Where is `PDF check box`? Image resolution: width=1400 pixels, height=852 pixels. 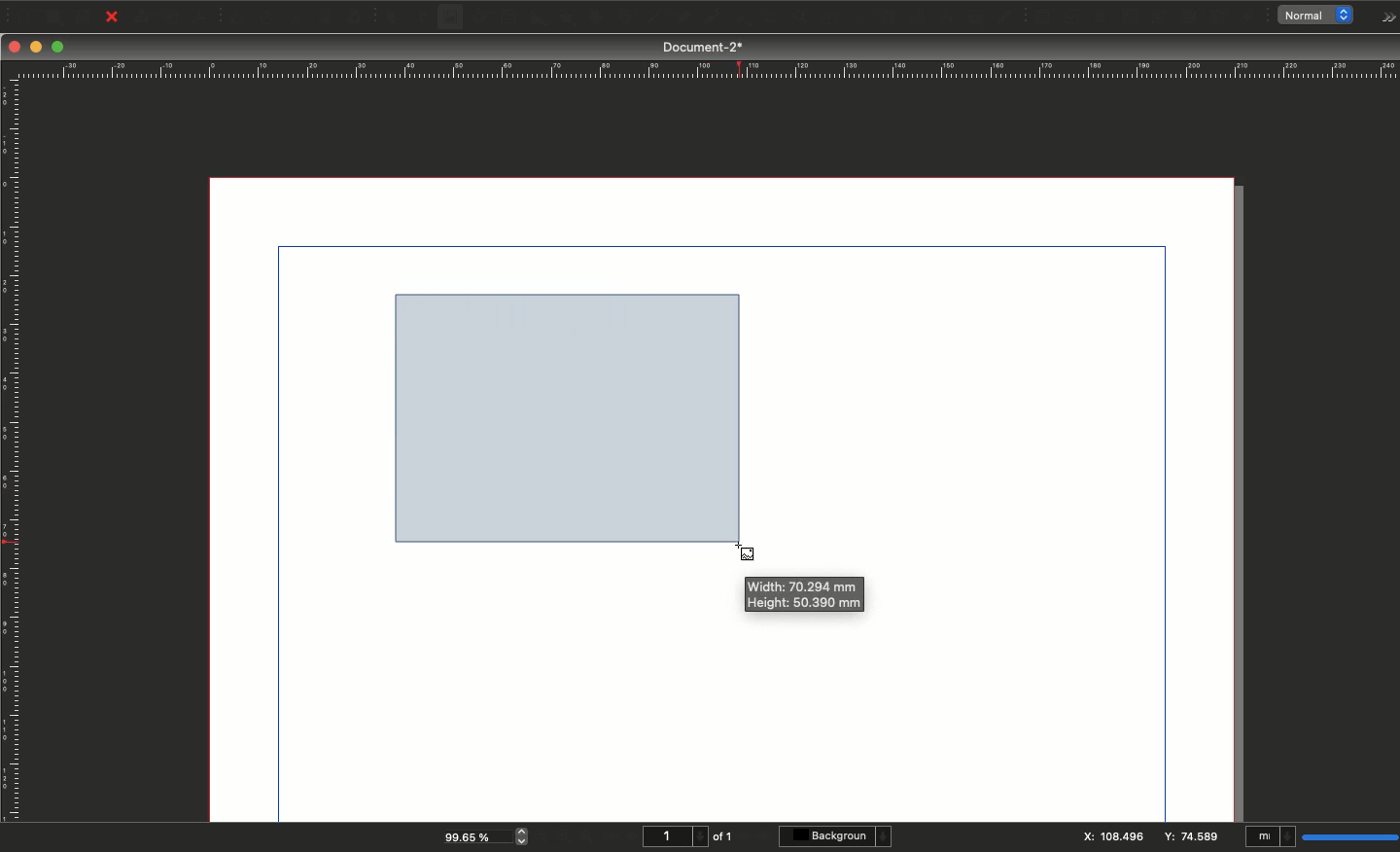
PDF check box is located at coordinates (1071, 18).